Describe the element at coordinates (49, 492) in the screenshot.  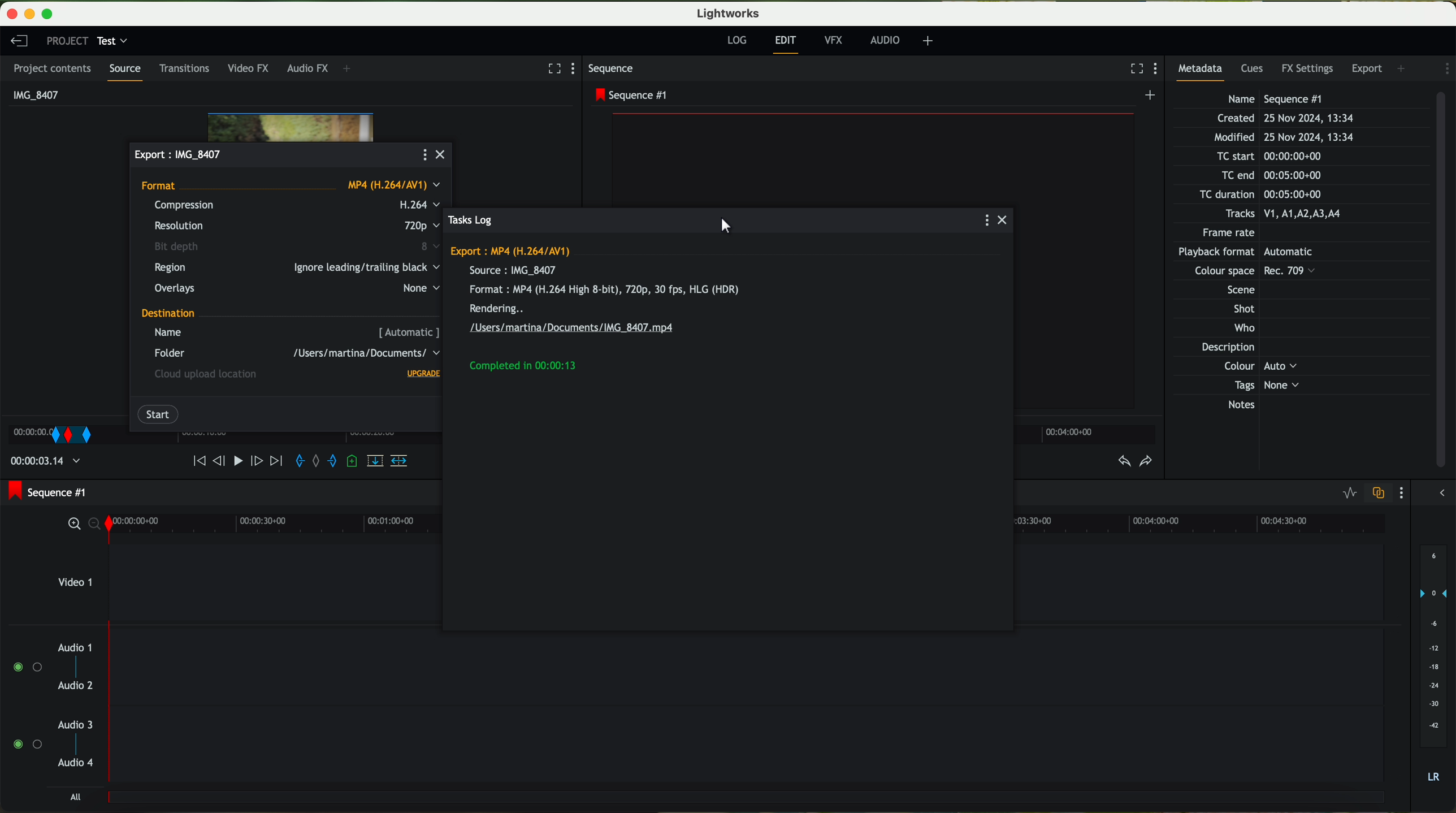
I see `sequence #1` at that location.